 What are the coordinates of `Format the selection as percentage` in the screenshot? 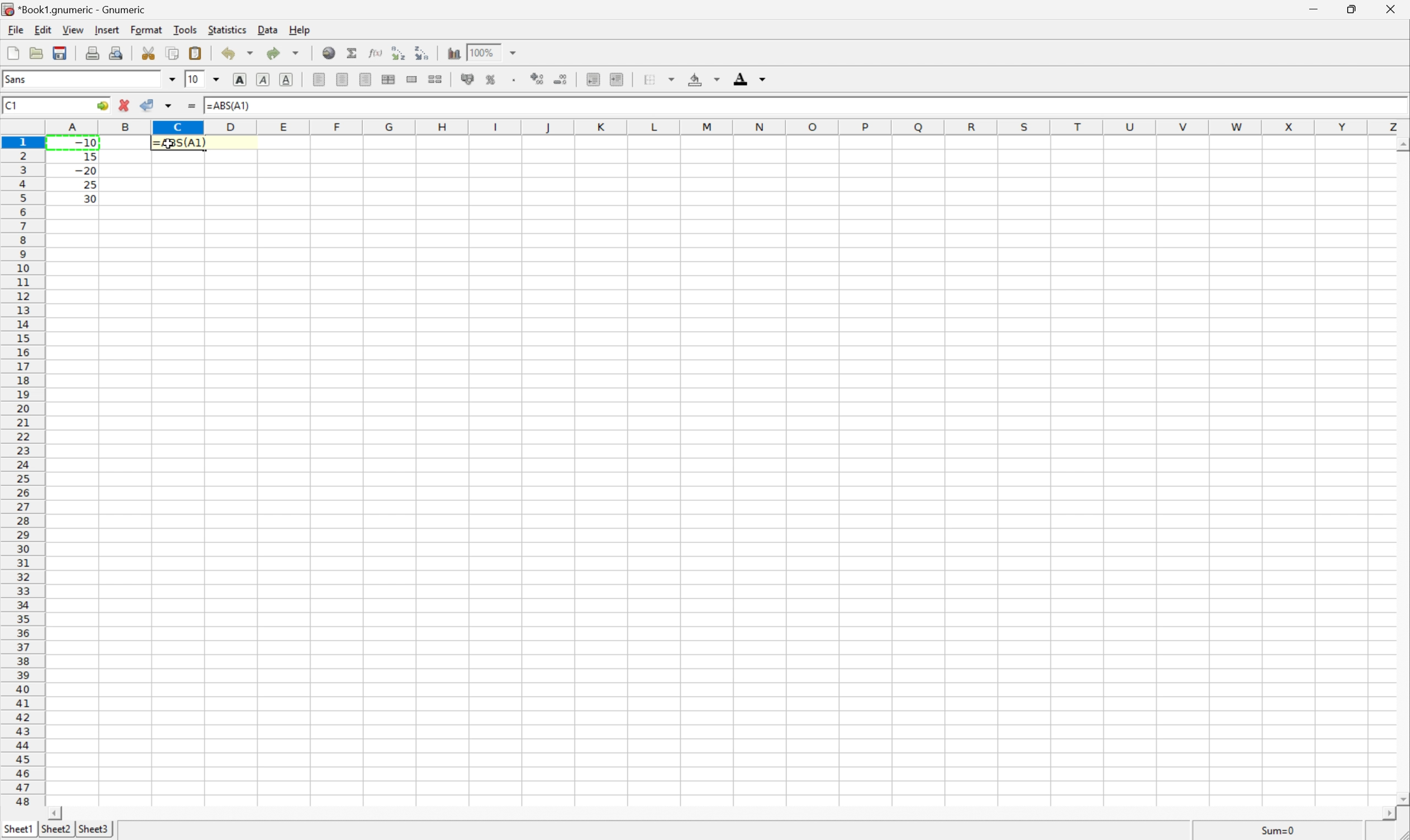 It's located at (492, 82).